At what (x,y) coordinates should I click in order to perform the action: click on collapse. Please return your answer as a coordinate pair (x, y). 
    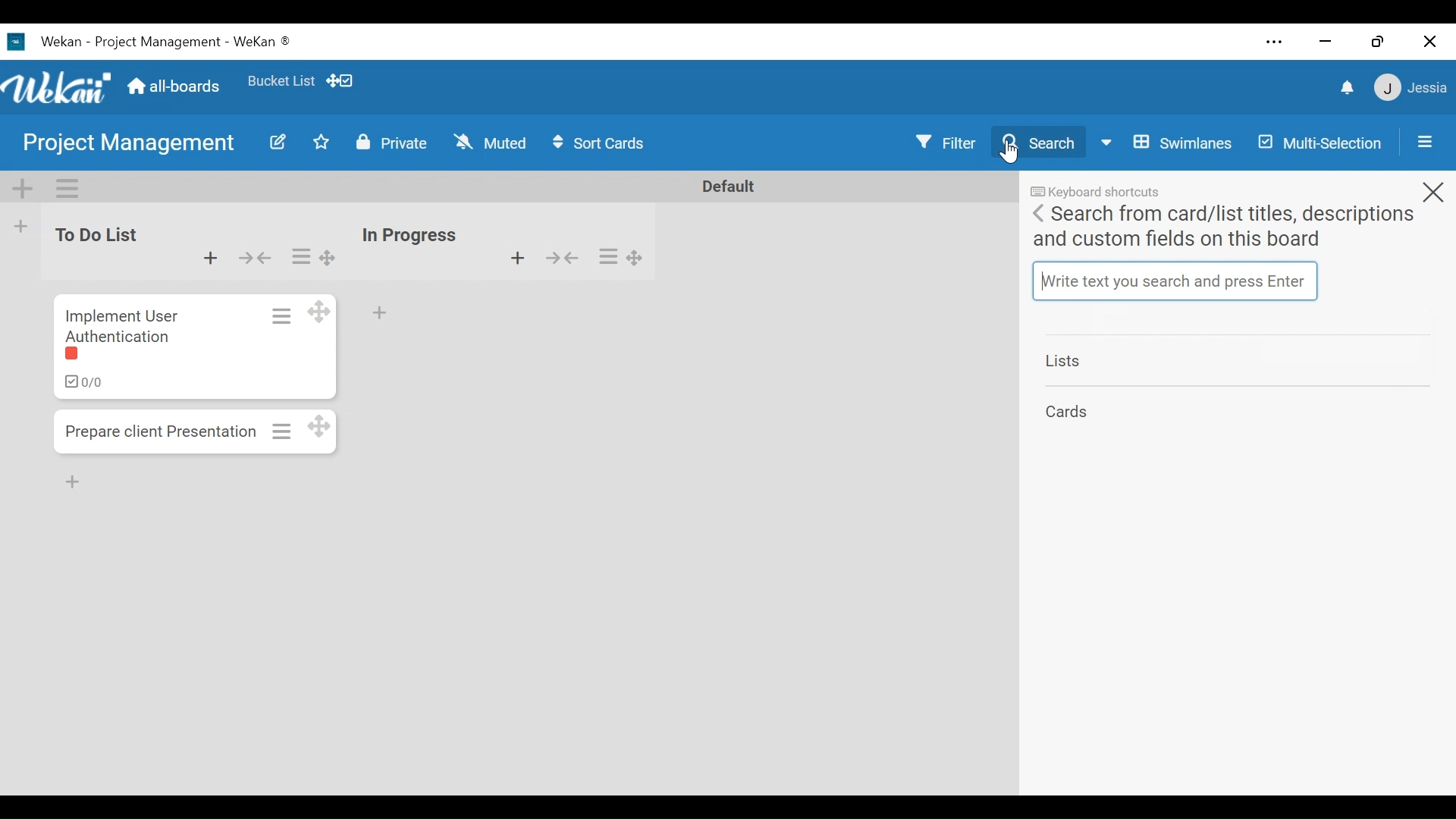
    Looking at the image, I should click on (563, 260).